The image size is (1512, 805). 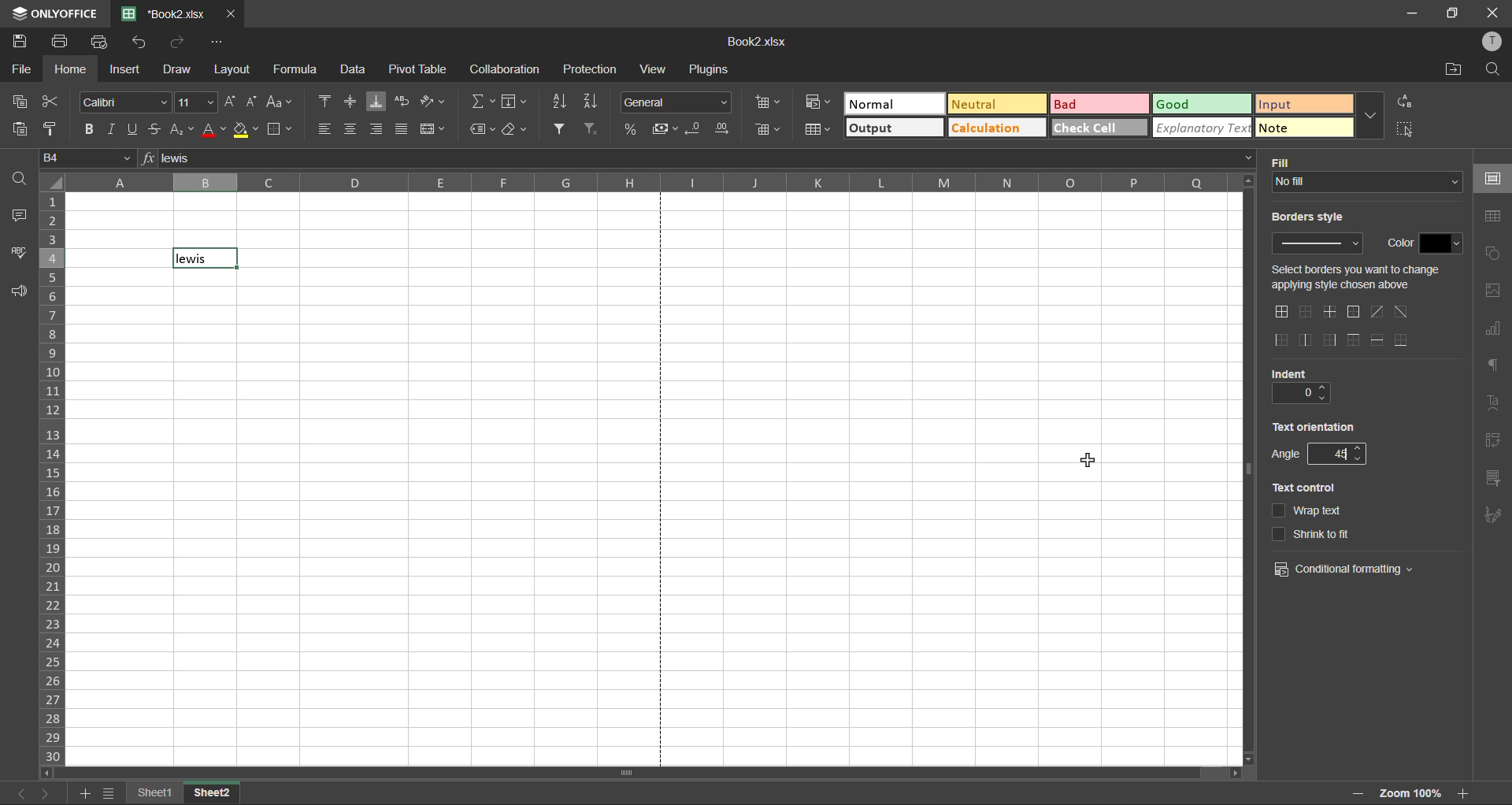 What do you see at coordinates (1281, 340) in the screenshot?
I see `outside left border` at bounding box center [1281, 340].